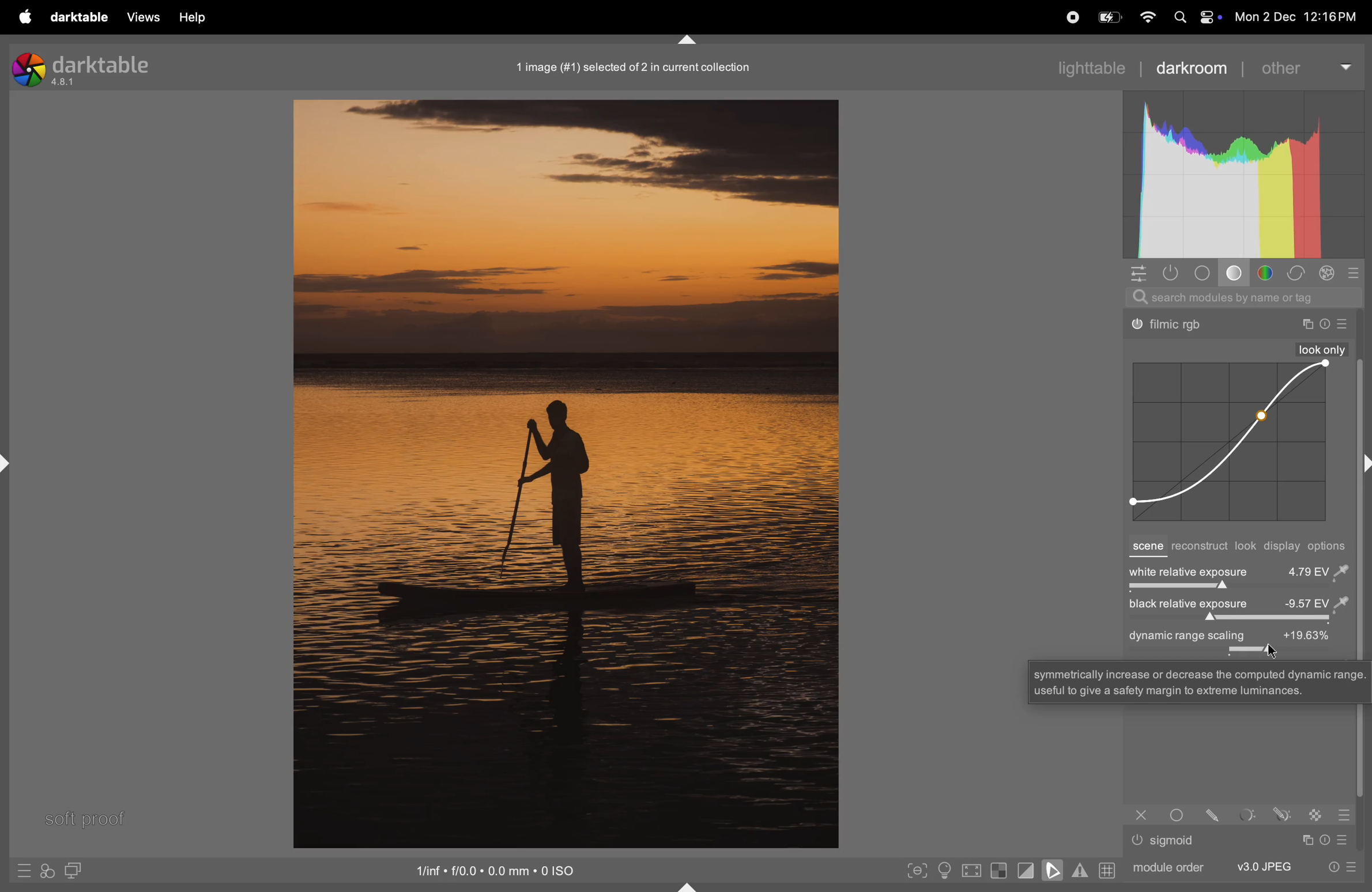 The height and width of the screenshot is (892, 1372). I want to click on black exposure, so click(1237, 604).